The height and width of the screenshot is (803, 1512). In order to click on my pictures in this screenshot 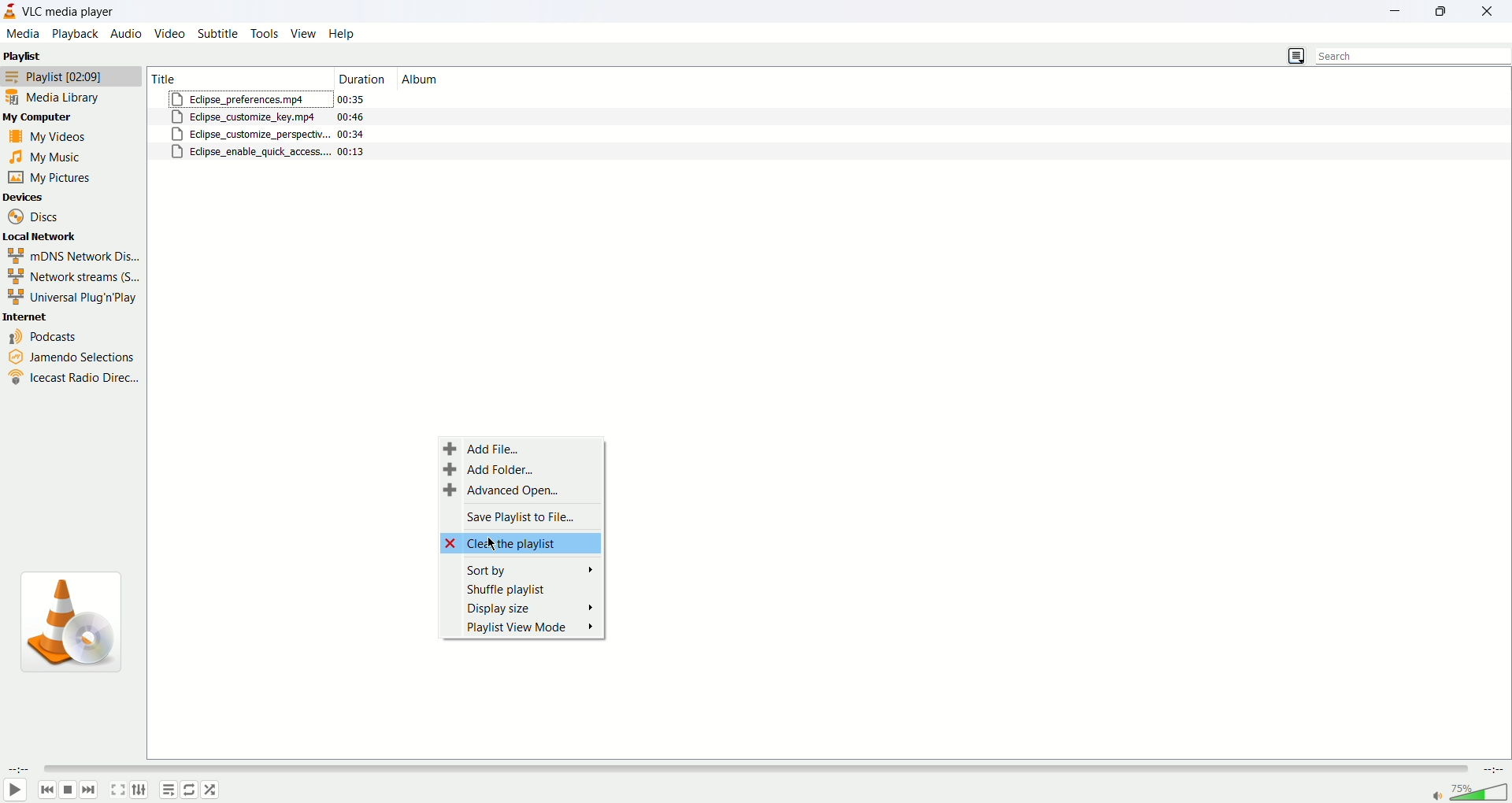, I will do `click(57, 179)`.